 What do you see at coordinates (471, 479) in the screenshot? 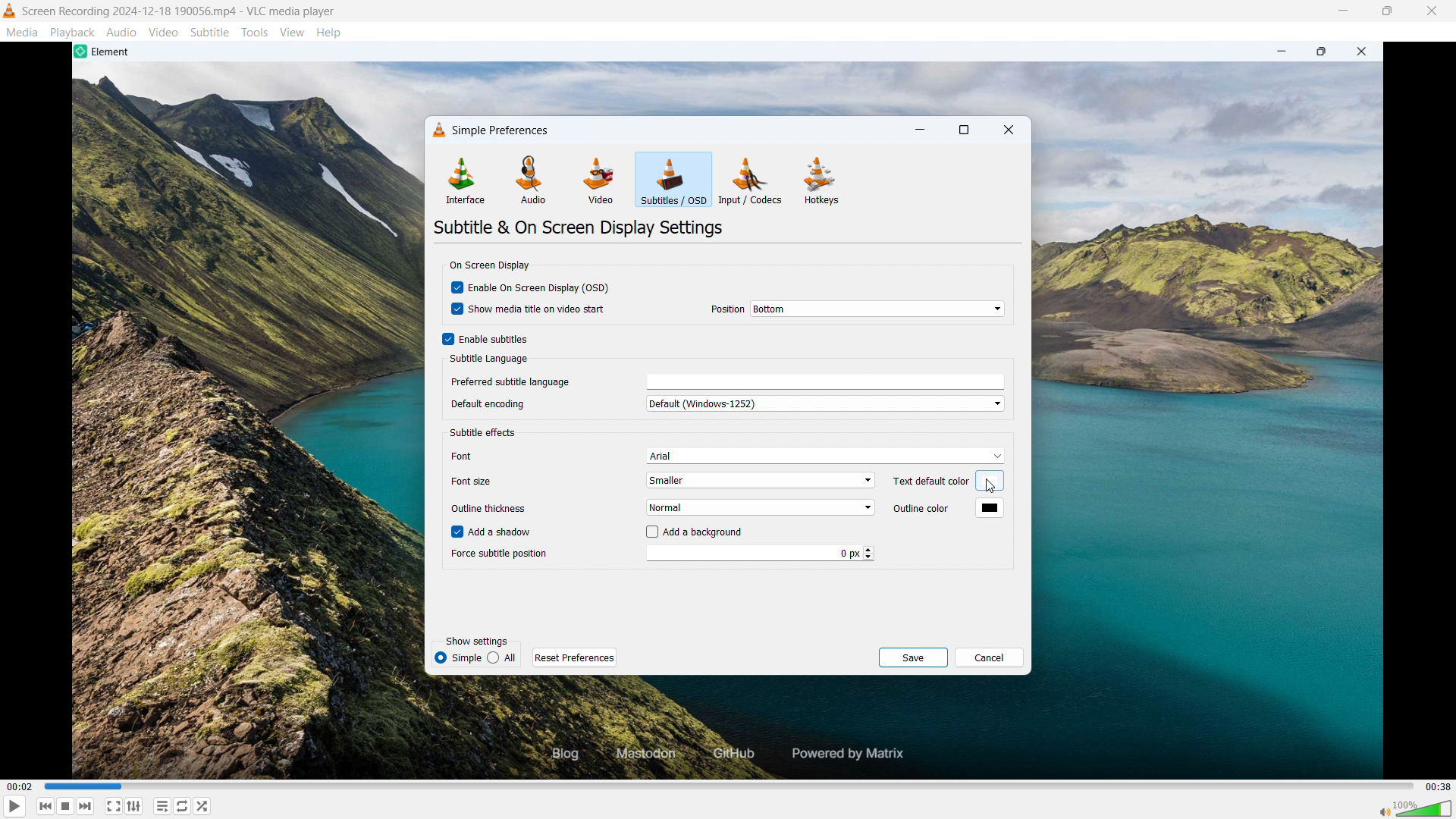
I see `` at bounding box center [471, 479].